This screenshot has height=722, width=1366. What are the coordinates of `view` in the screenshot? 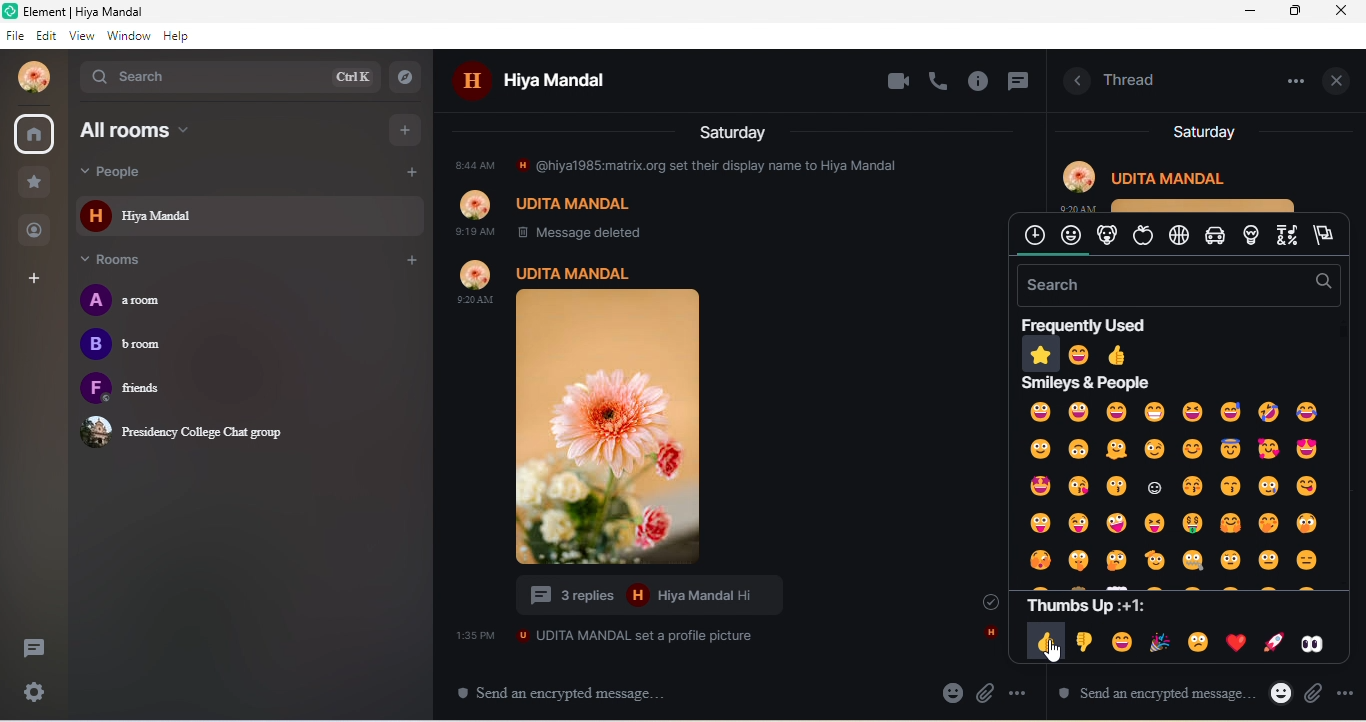 It's located at (85, 36).